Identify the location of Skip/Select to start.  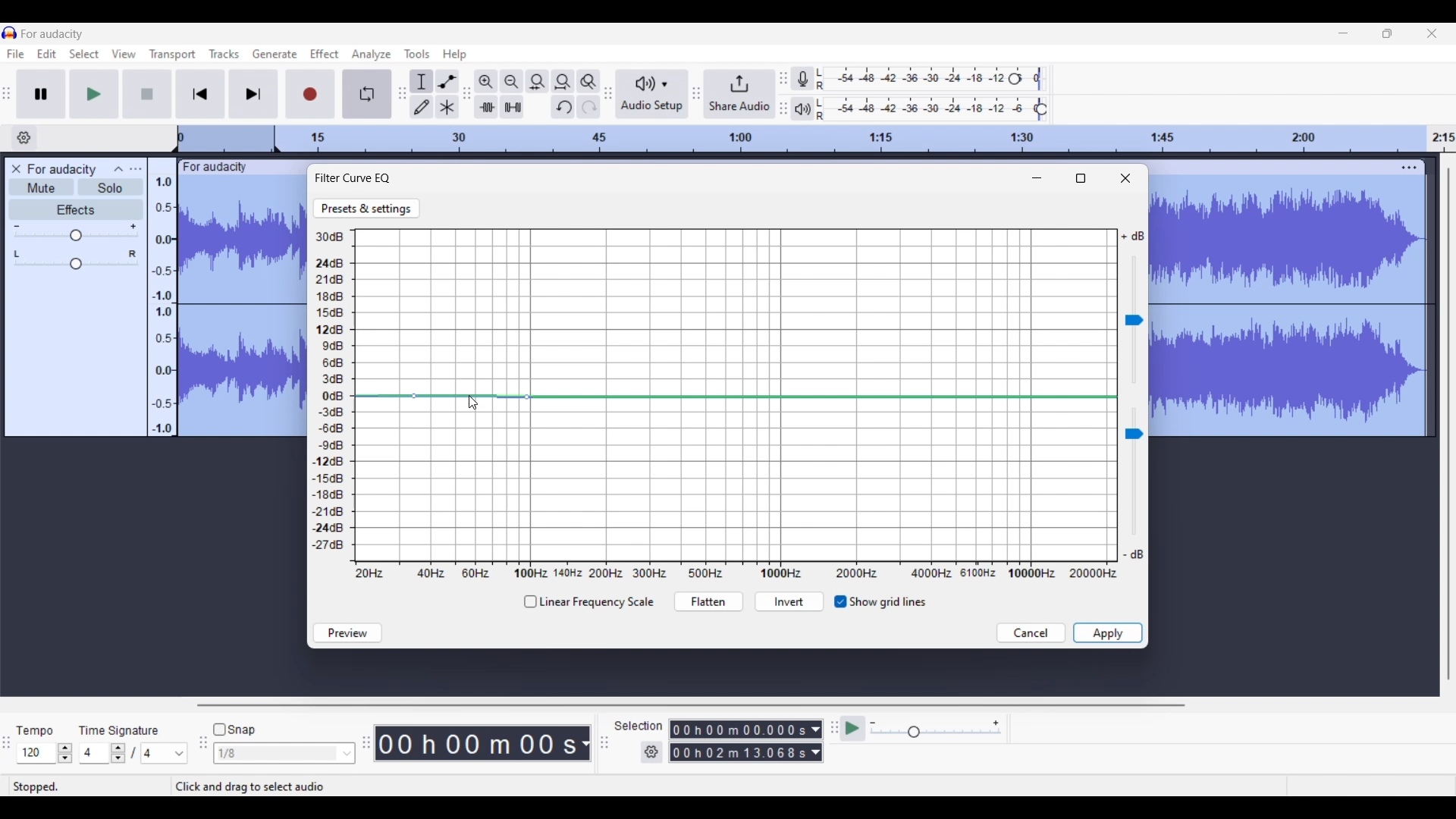
(200, 94).